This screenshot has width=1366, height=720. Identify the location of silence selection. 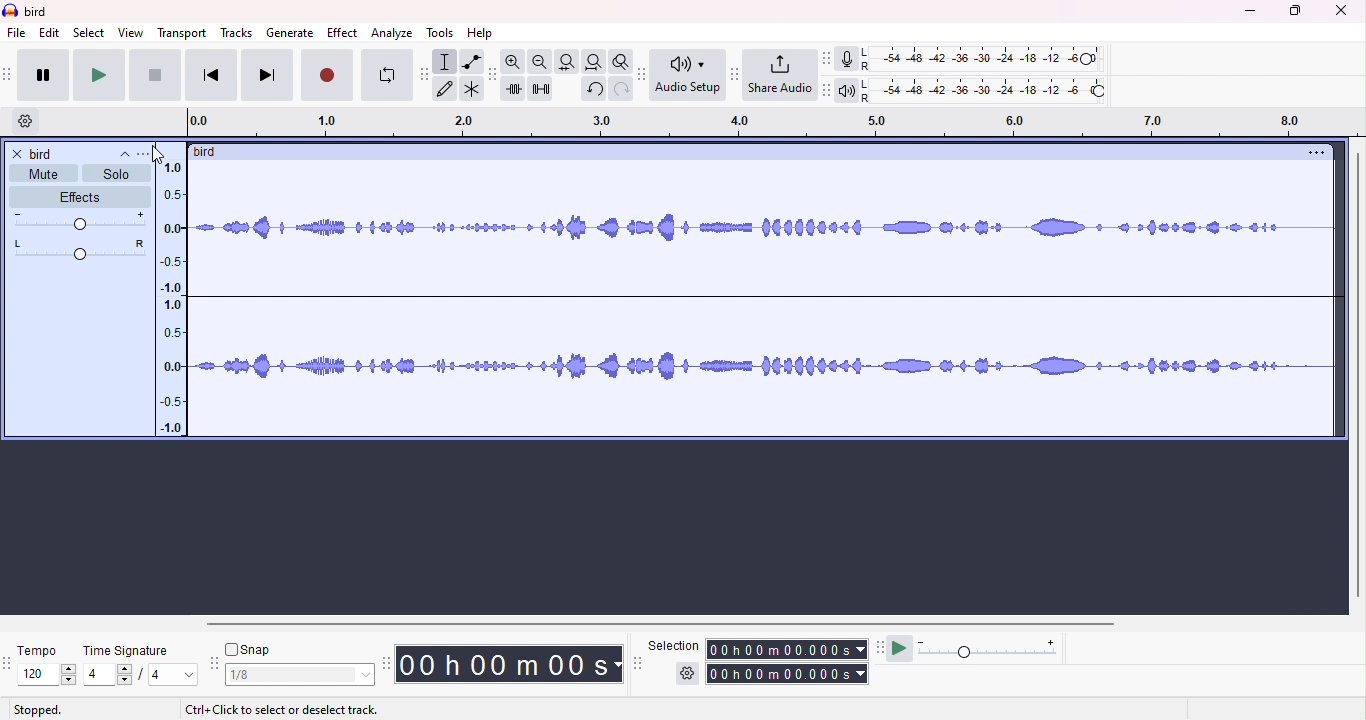
(541, 88).